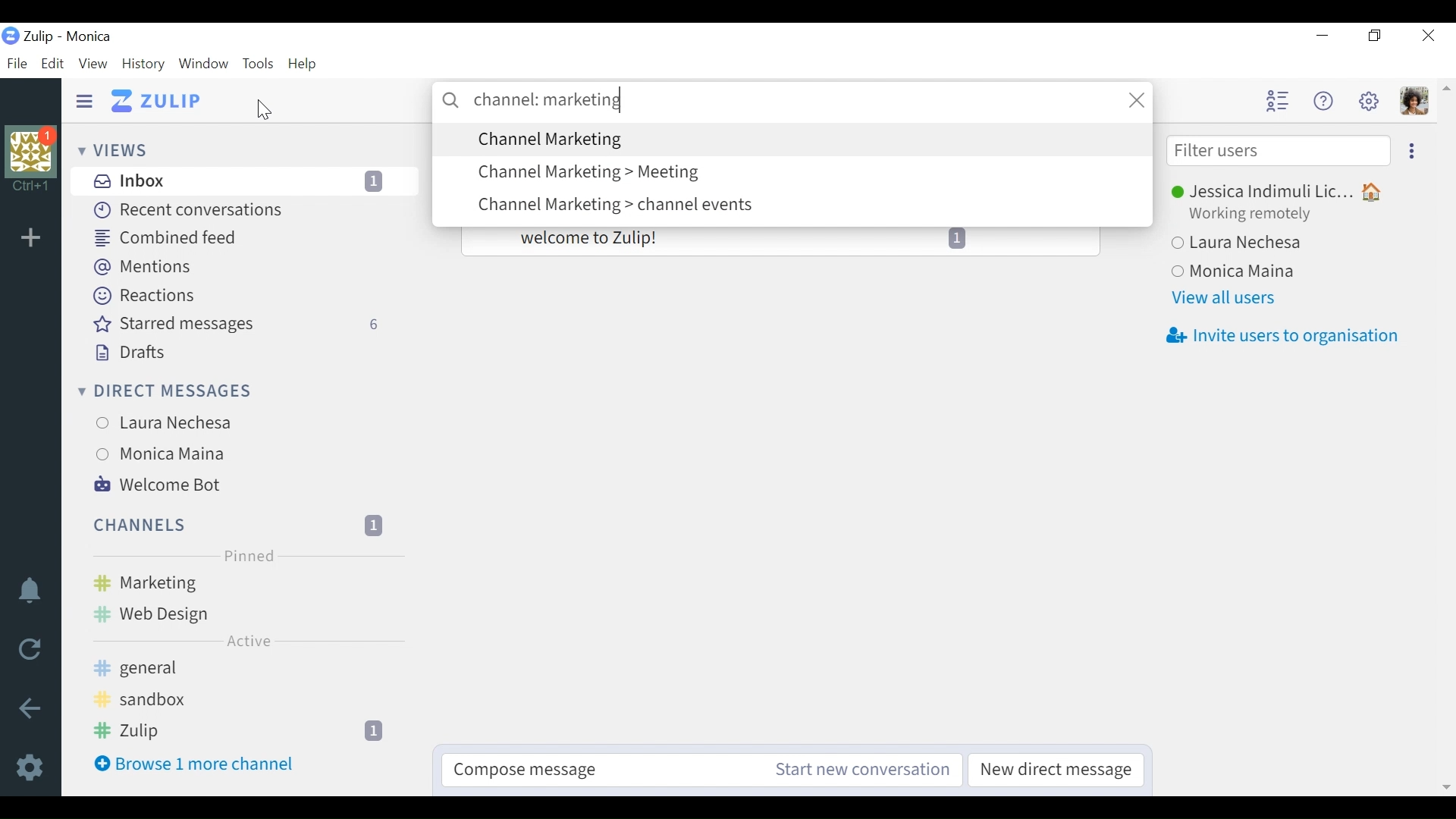 The height and width of the screenshot is (819, 1456). I want to click on Users, so click(1279, 203).